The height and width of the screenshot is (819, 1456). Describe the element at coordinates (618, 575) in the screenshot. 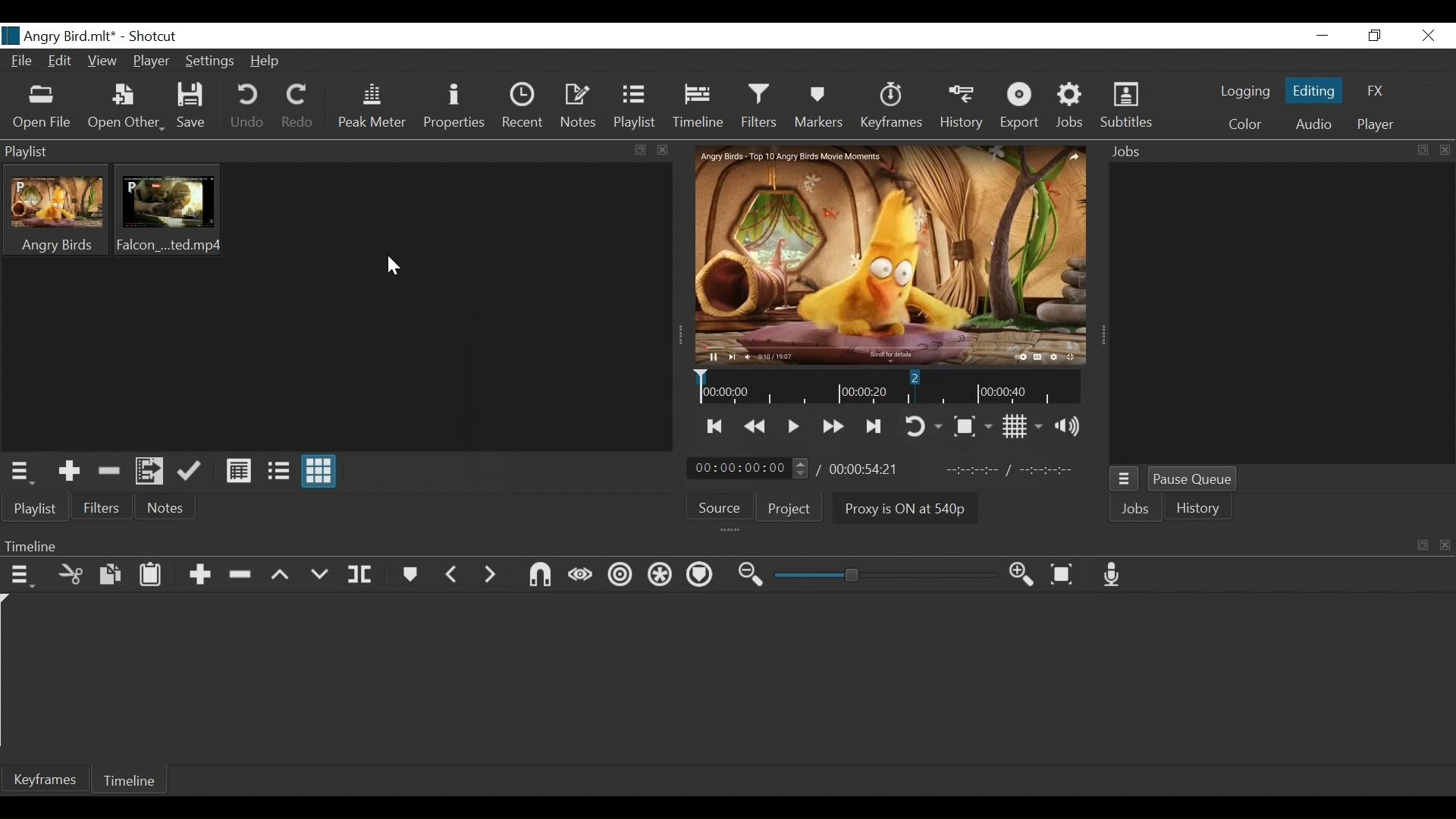

I see `Ripple` at that location.